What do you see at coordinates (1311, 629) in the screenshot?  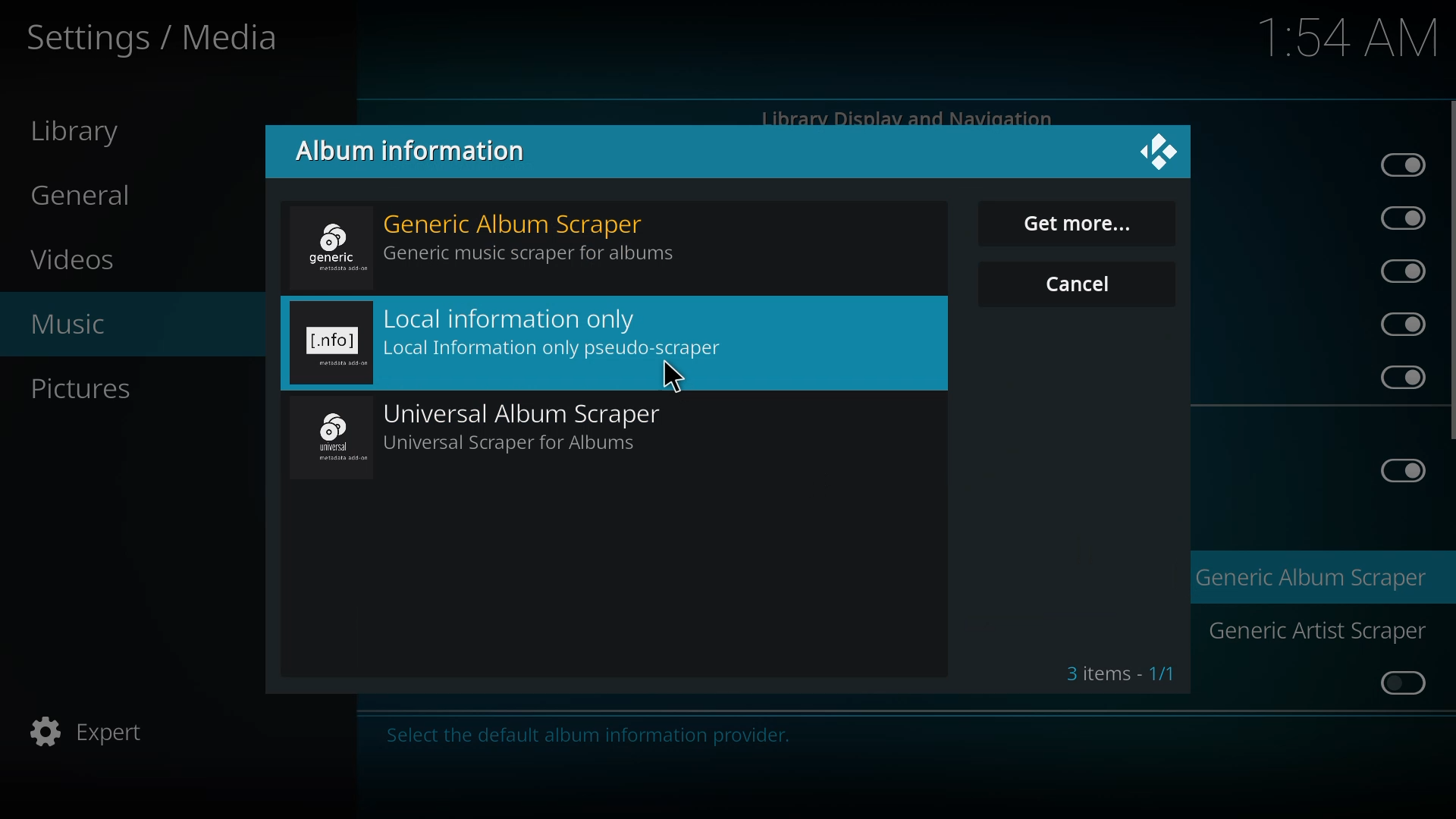 I see `generic` at bounding box center [1311, 629].